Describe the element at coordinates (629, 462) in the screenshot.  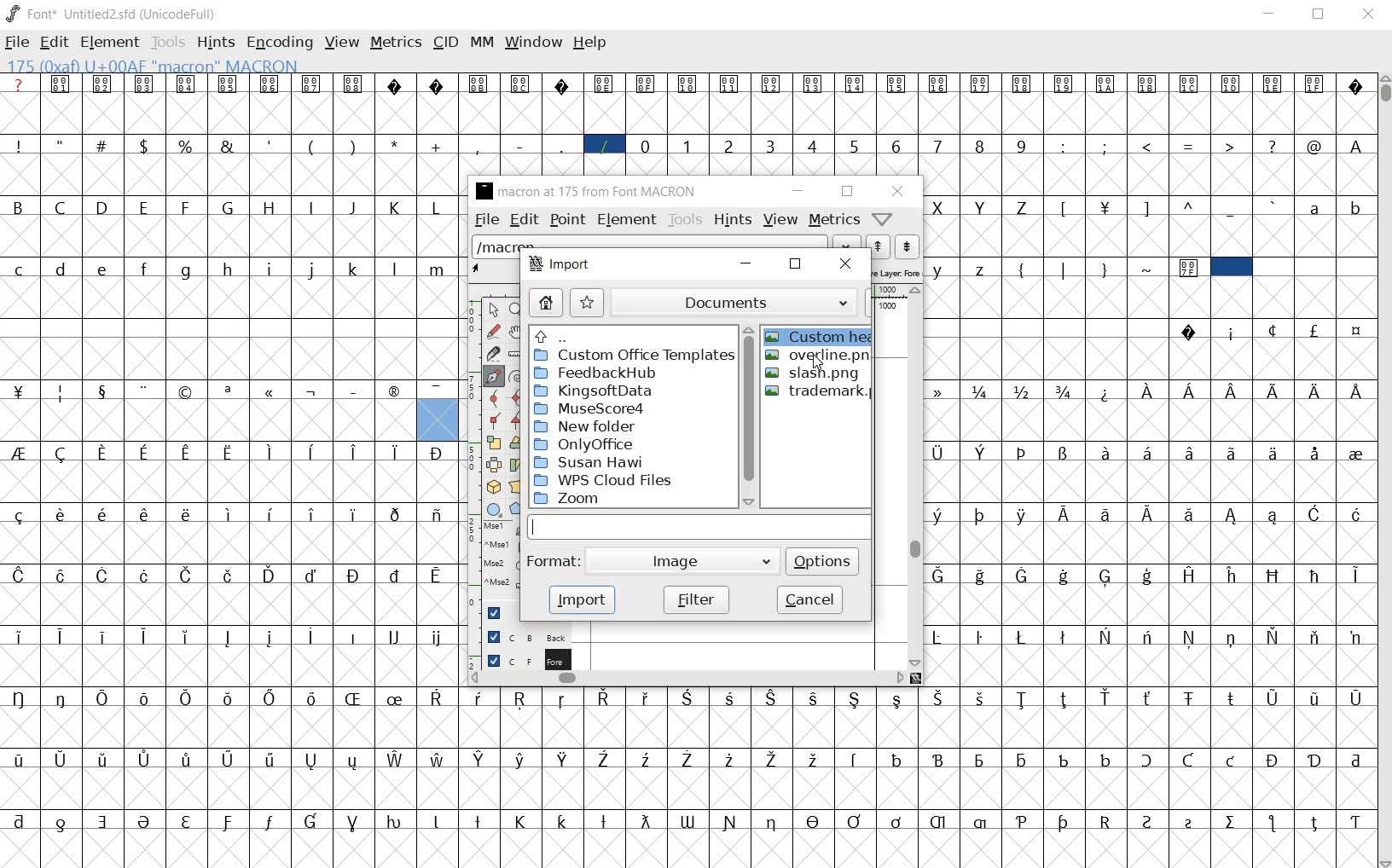
I see `Susan Haw` at that location.